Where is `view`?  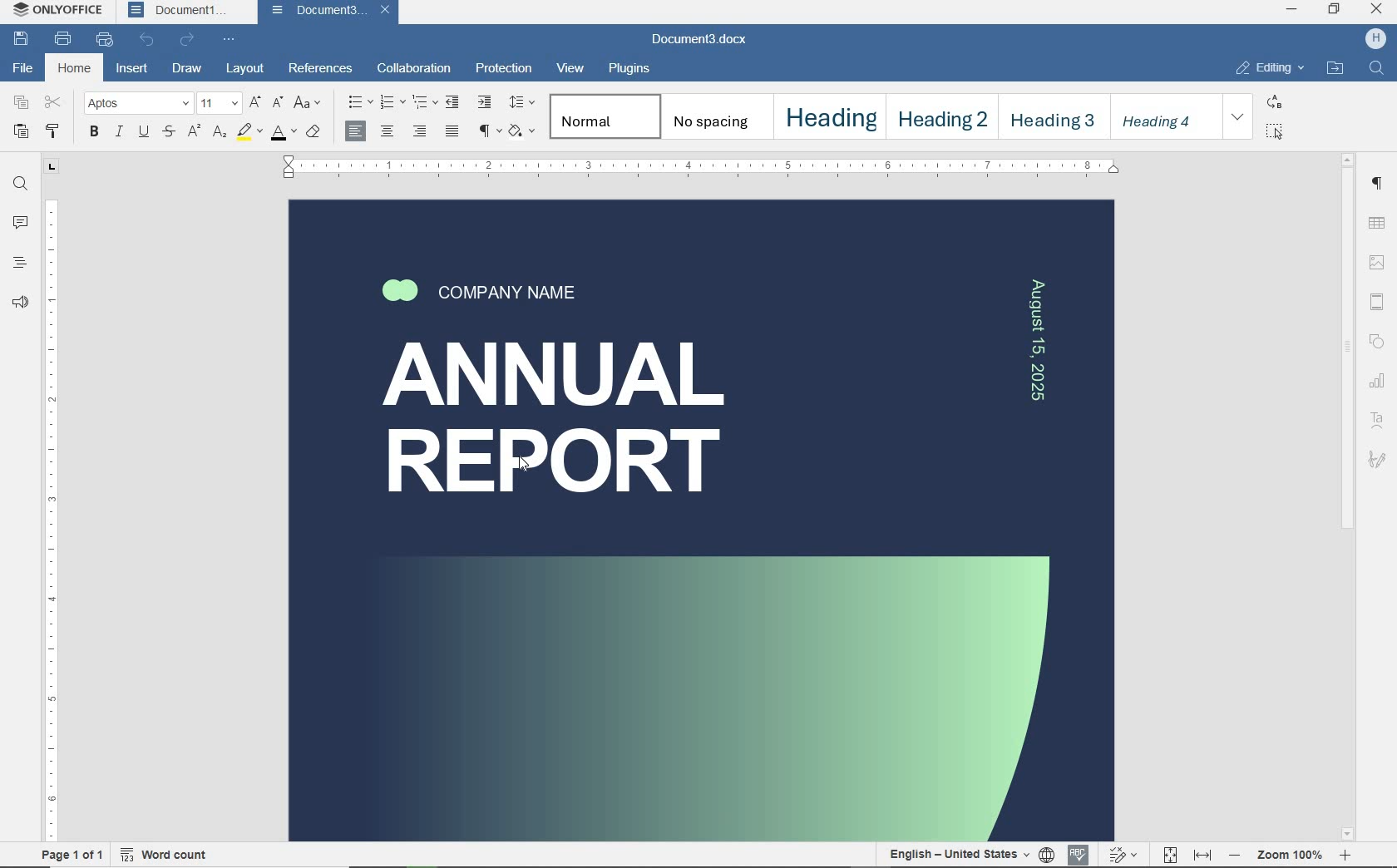
view is located at coordinates (574, 66).